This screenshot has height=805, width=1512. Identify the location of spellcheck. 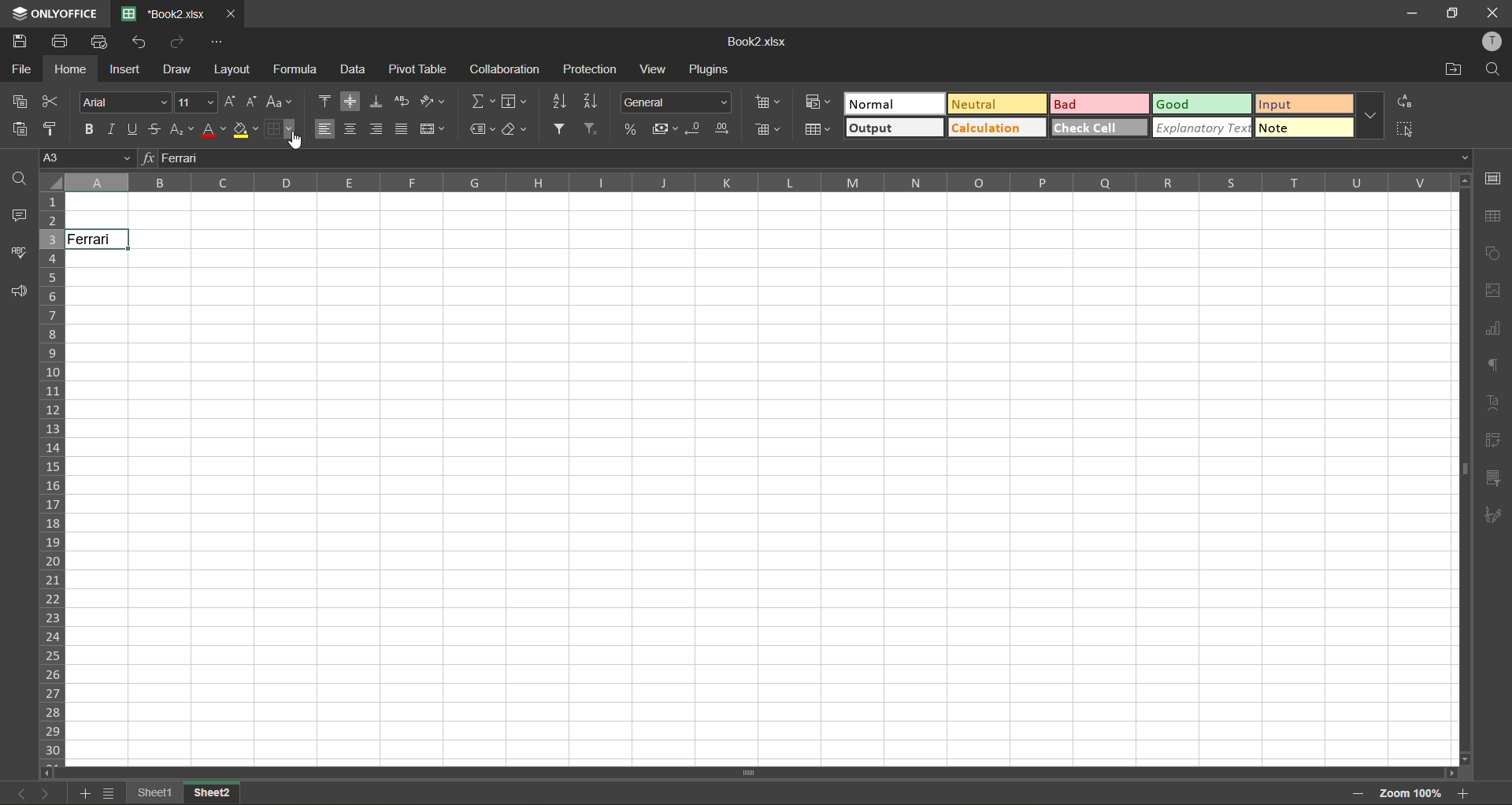
(19, 253).